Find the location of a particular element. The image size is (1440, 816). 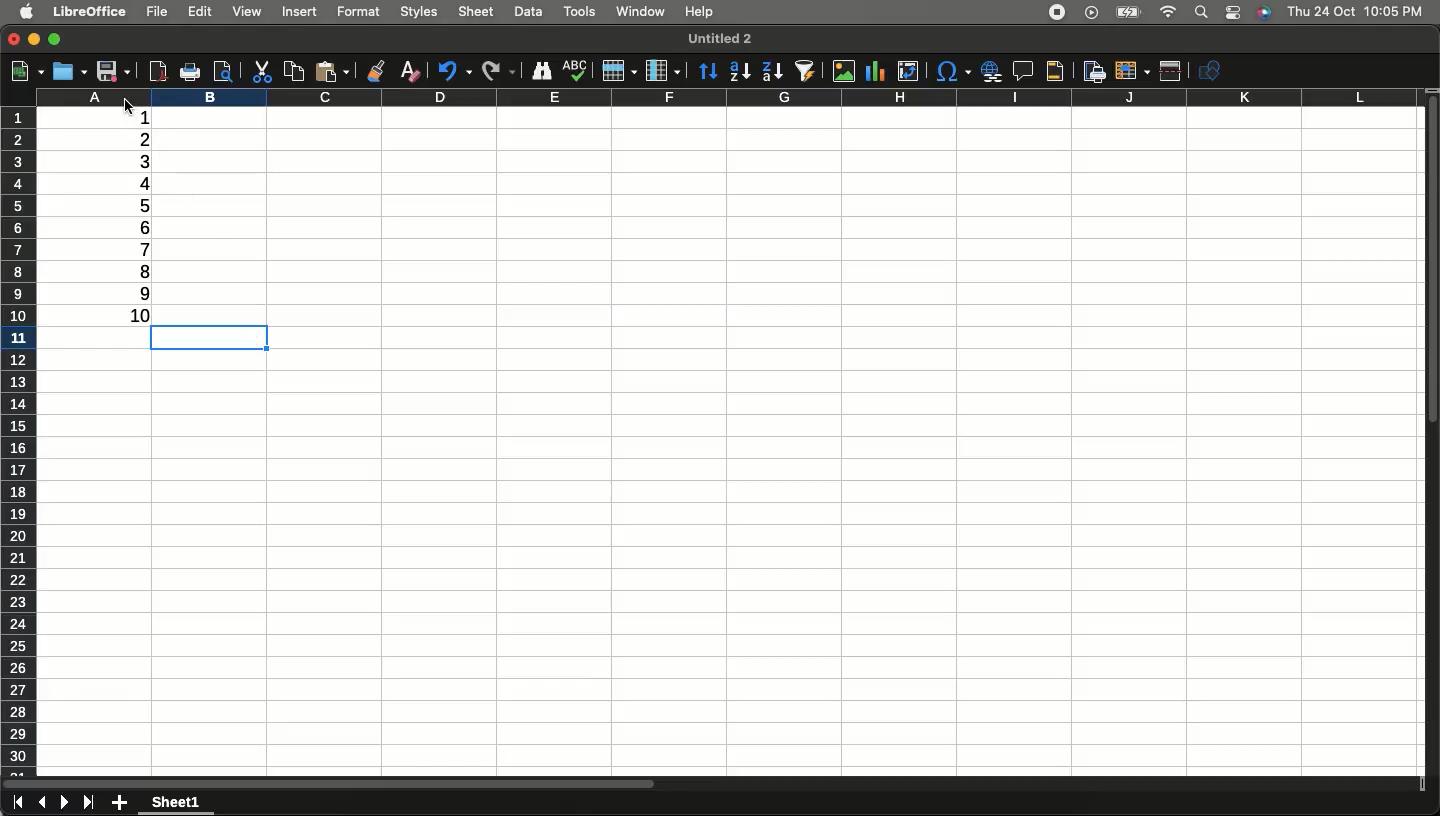

4 is located at coordinates (146, 183).